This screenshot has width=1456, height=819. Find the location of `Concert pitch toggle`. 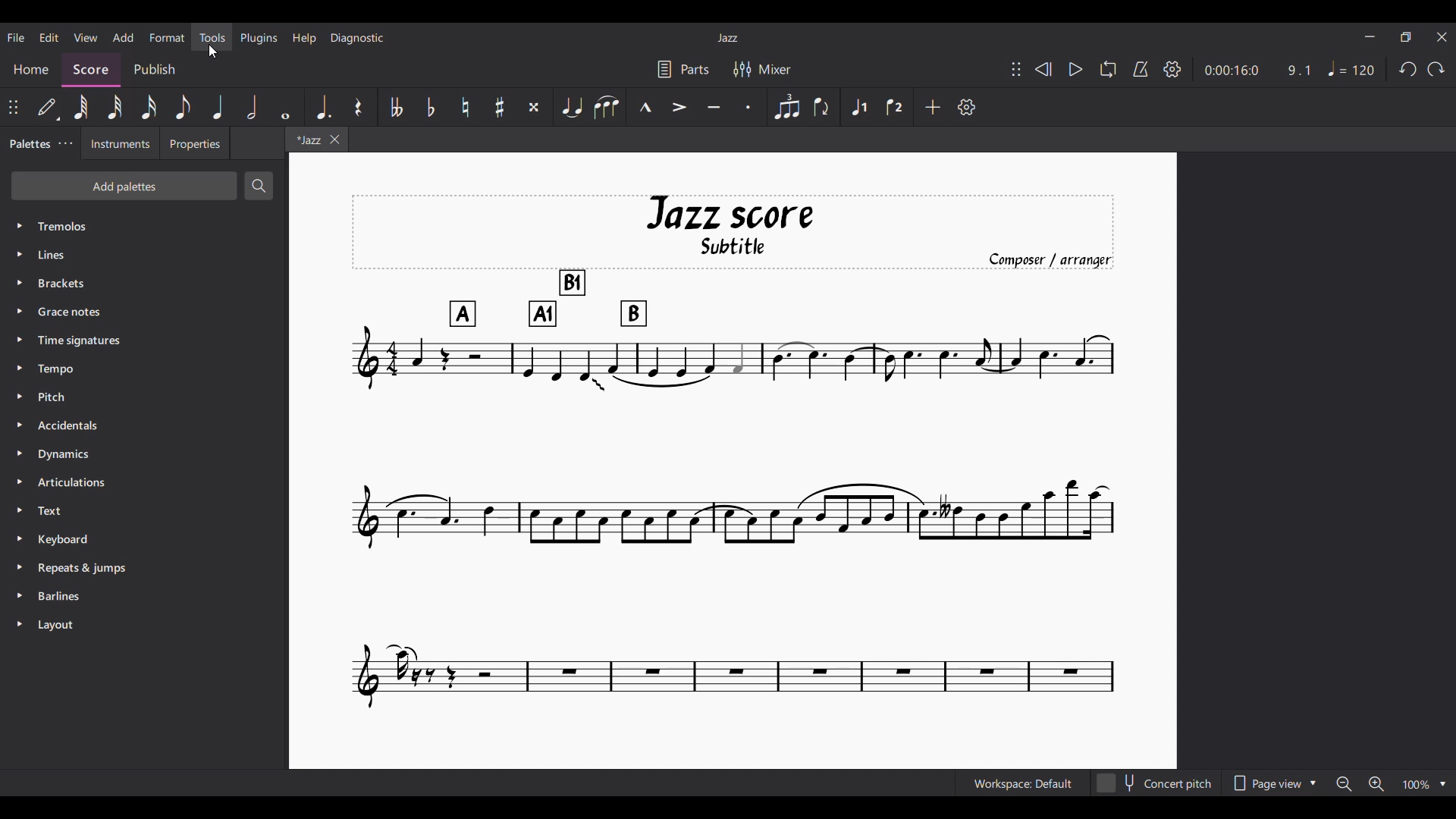

Concert pitch toggle is located at coordinates (1156, 783).